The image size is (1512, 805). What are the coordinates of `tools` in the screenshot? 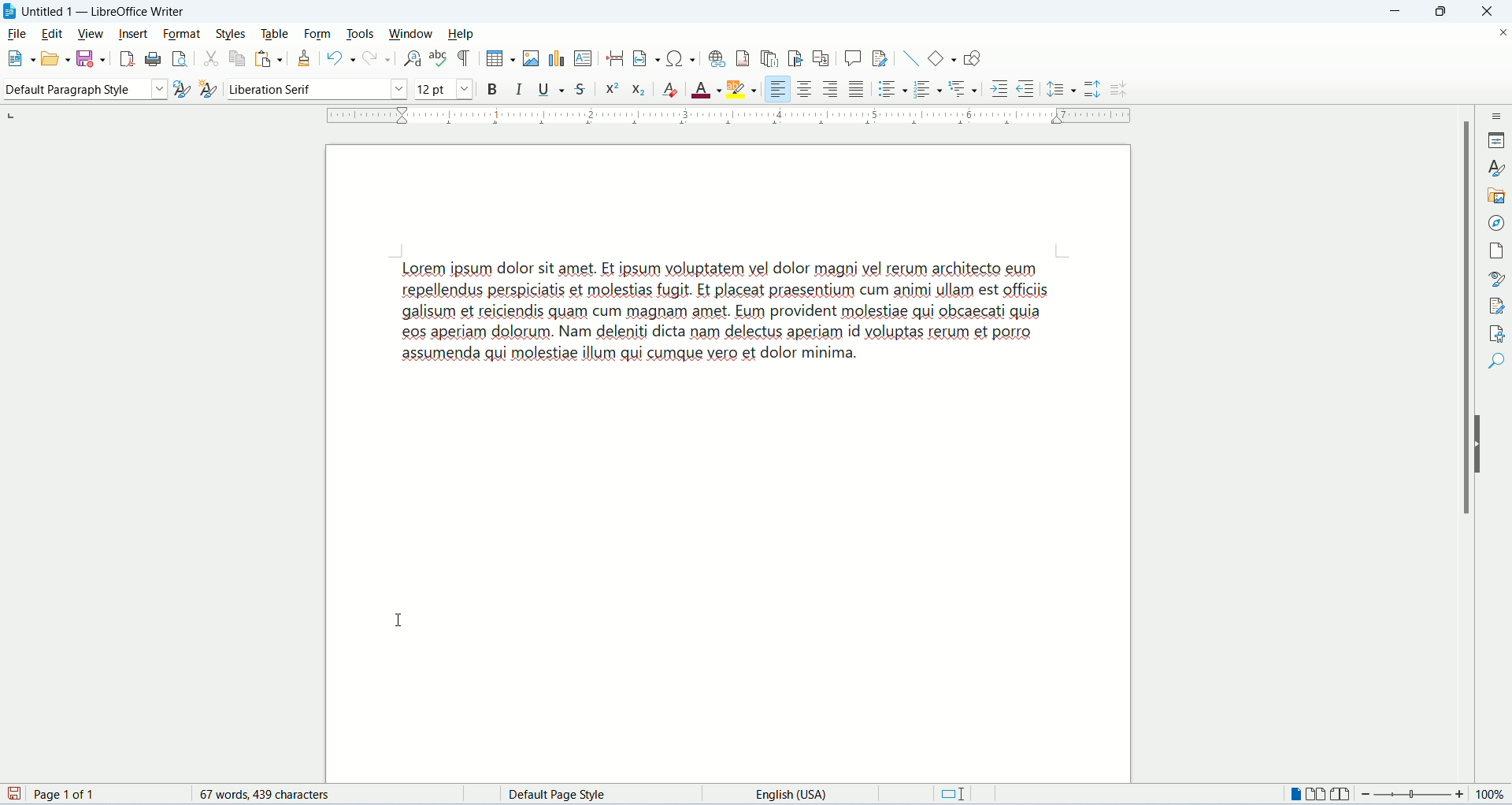 It's located at (361, 33).